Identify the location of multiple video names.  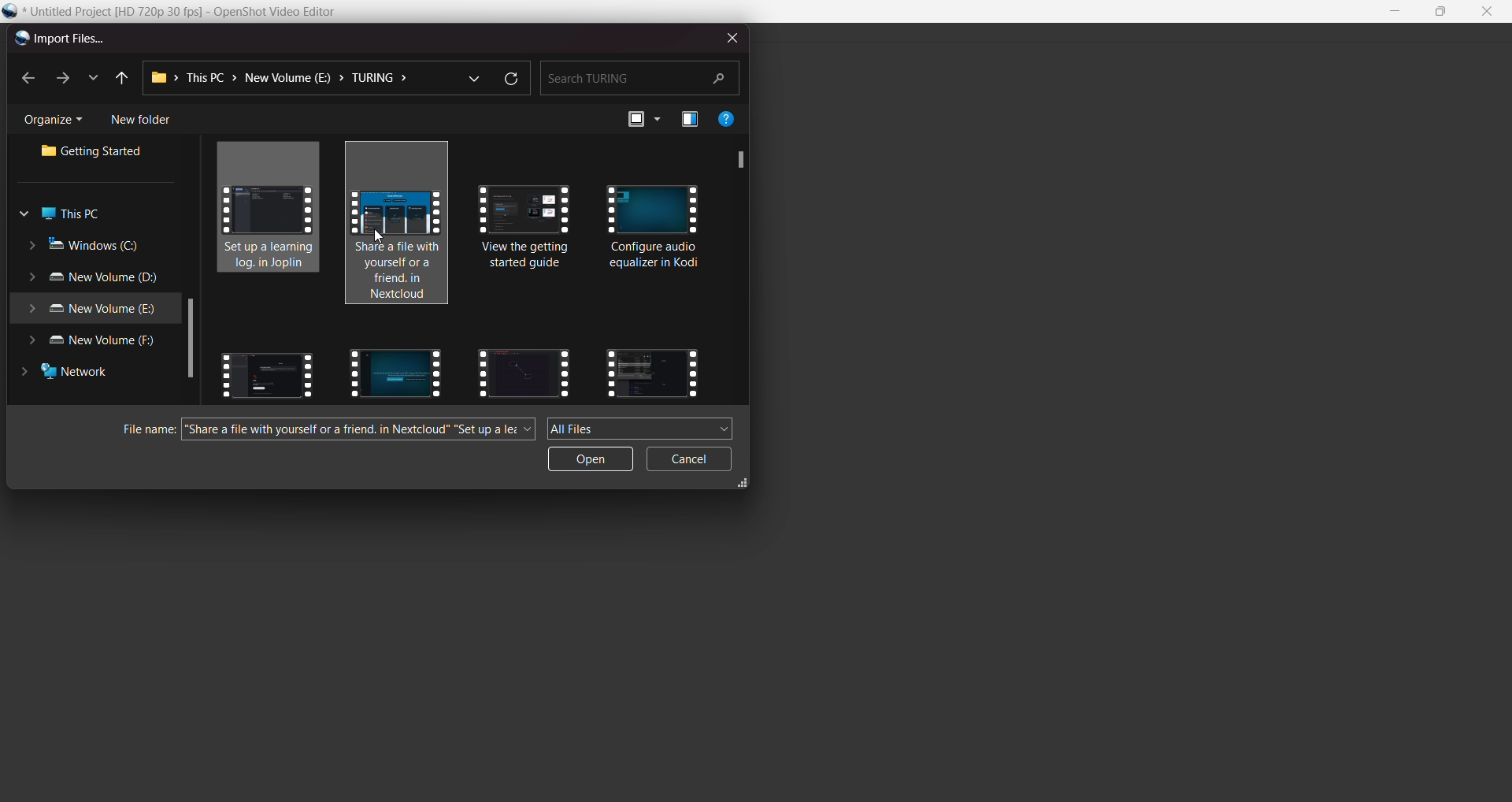
(360, 430).